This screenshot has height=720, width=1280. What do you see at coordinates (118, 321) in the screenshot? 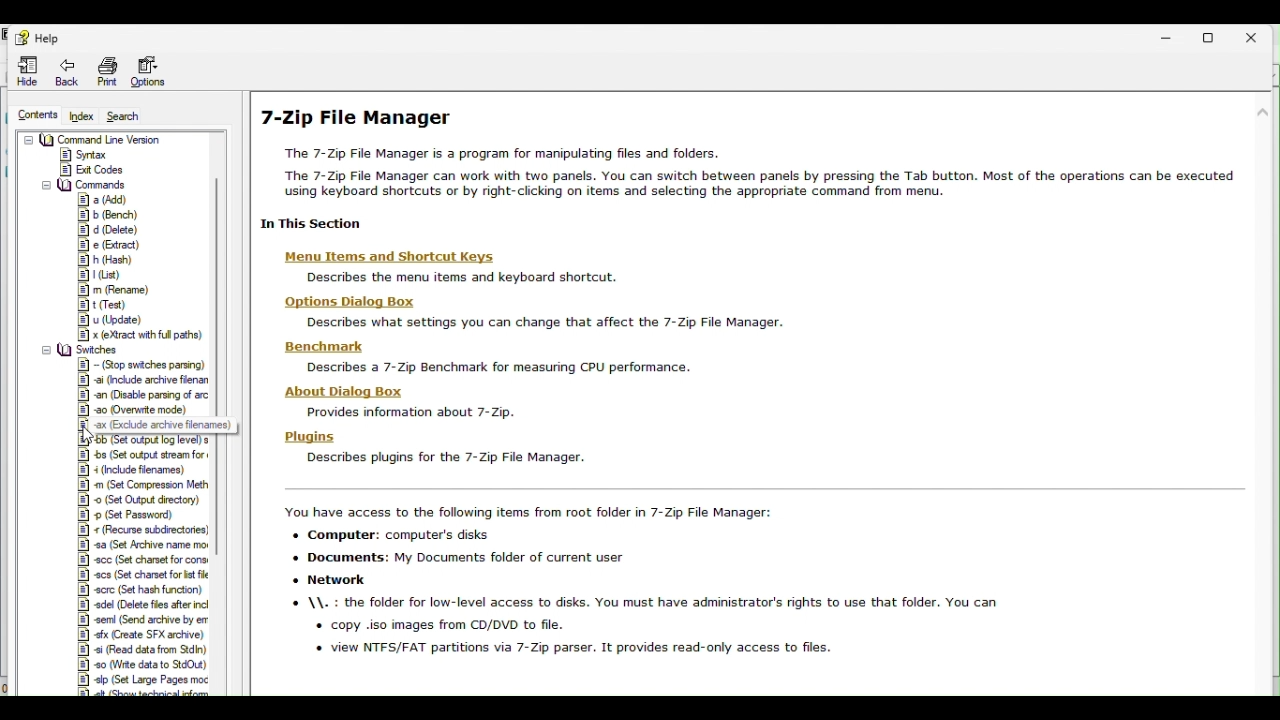
I see `#| u (Update)` at bounding box center [118, 321].